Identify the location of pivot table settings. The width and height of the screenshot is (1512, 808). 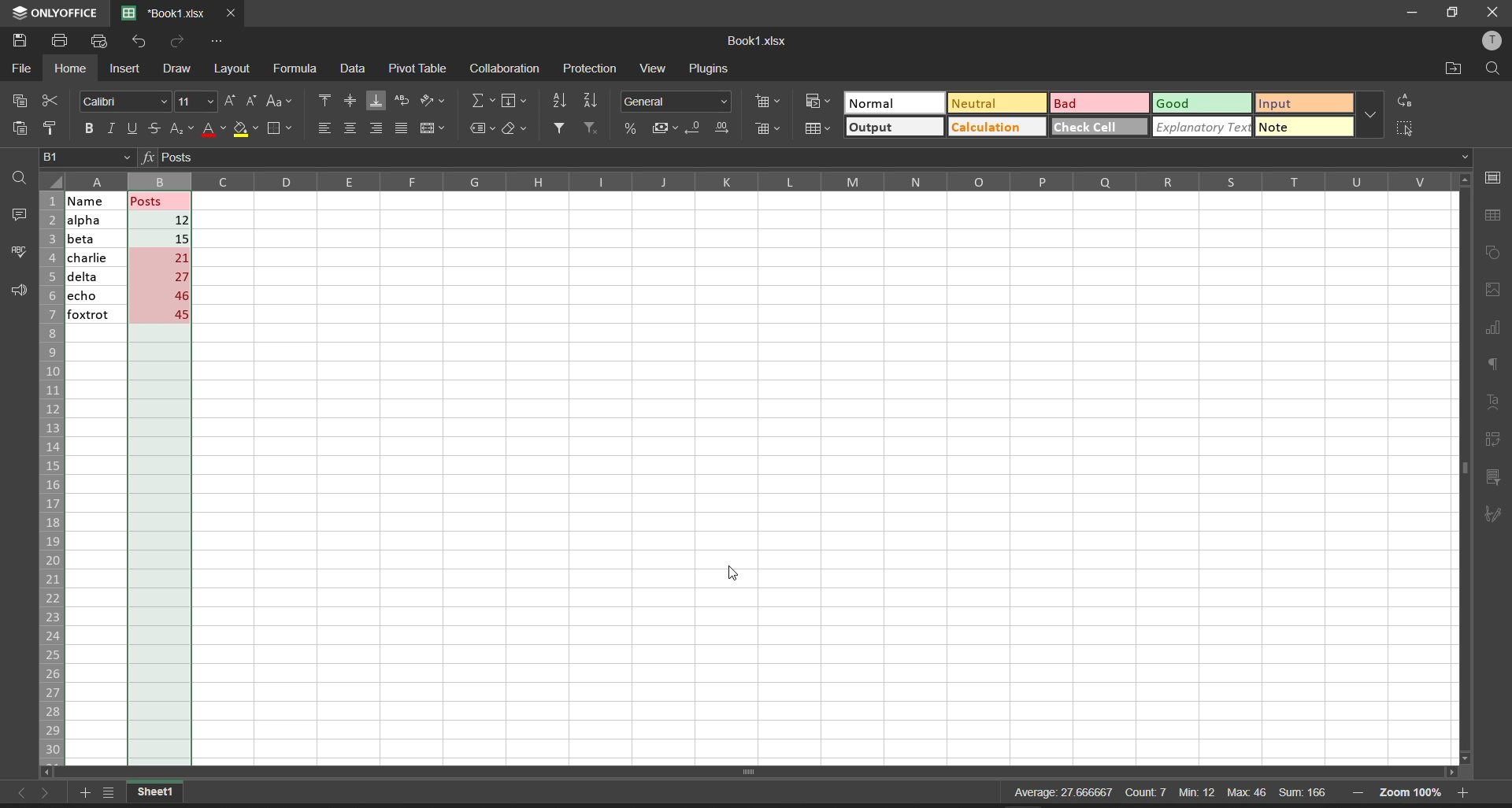
(1495, 438).